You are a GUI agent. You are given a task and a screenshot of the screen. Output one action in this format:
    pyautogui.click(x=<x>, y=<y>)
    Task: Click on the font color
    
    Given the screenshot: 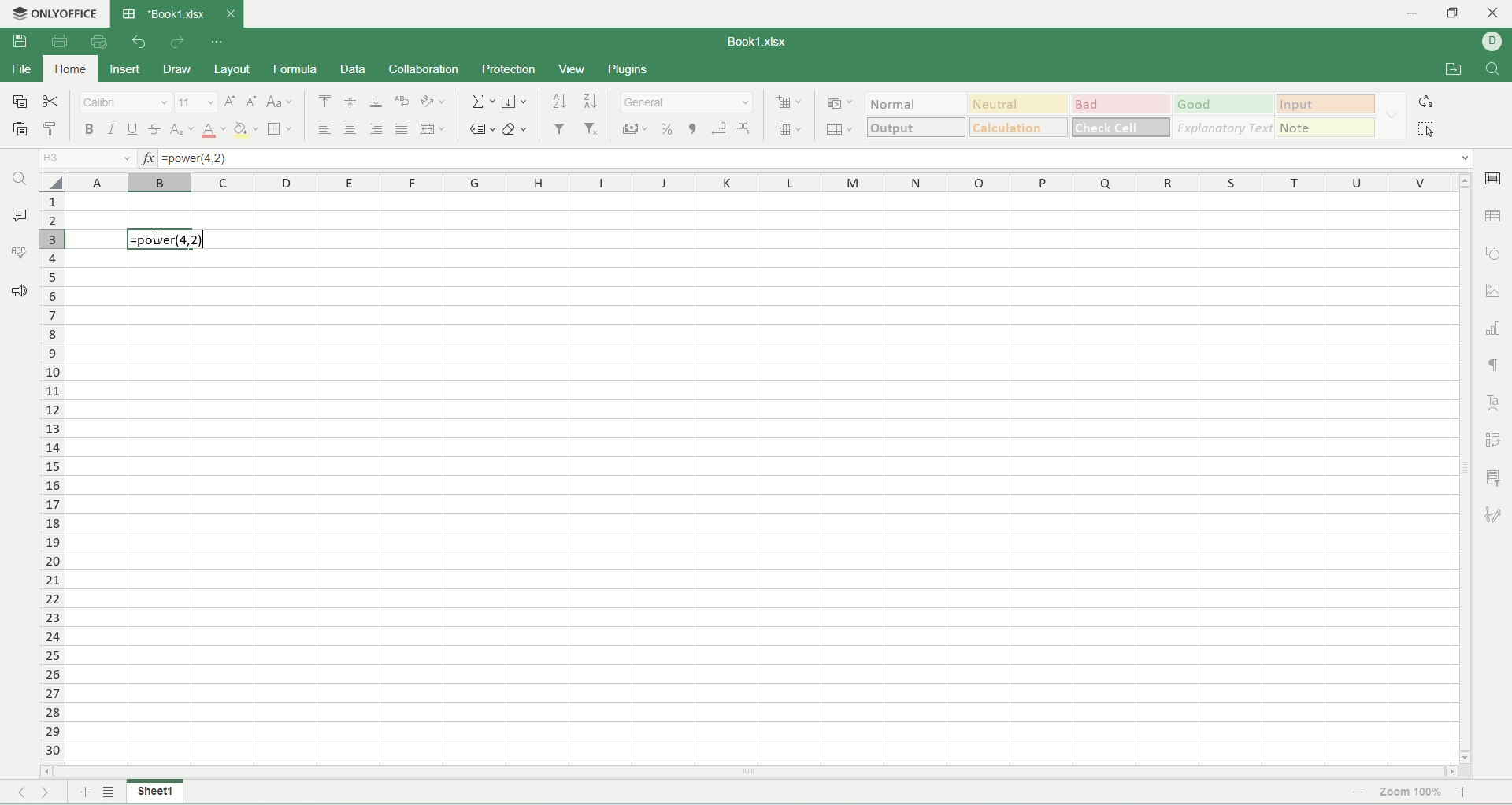 What is the action you would take?
    pyautogui.click(x=214, y=130)
    